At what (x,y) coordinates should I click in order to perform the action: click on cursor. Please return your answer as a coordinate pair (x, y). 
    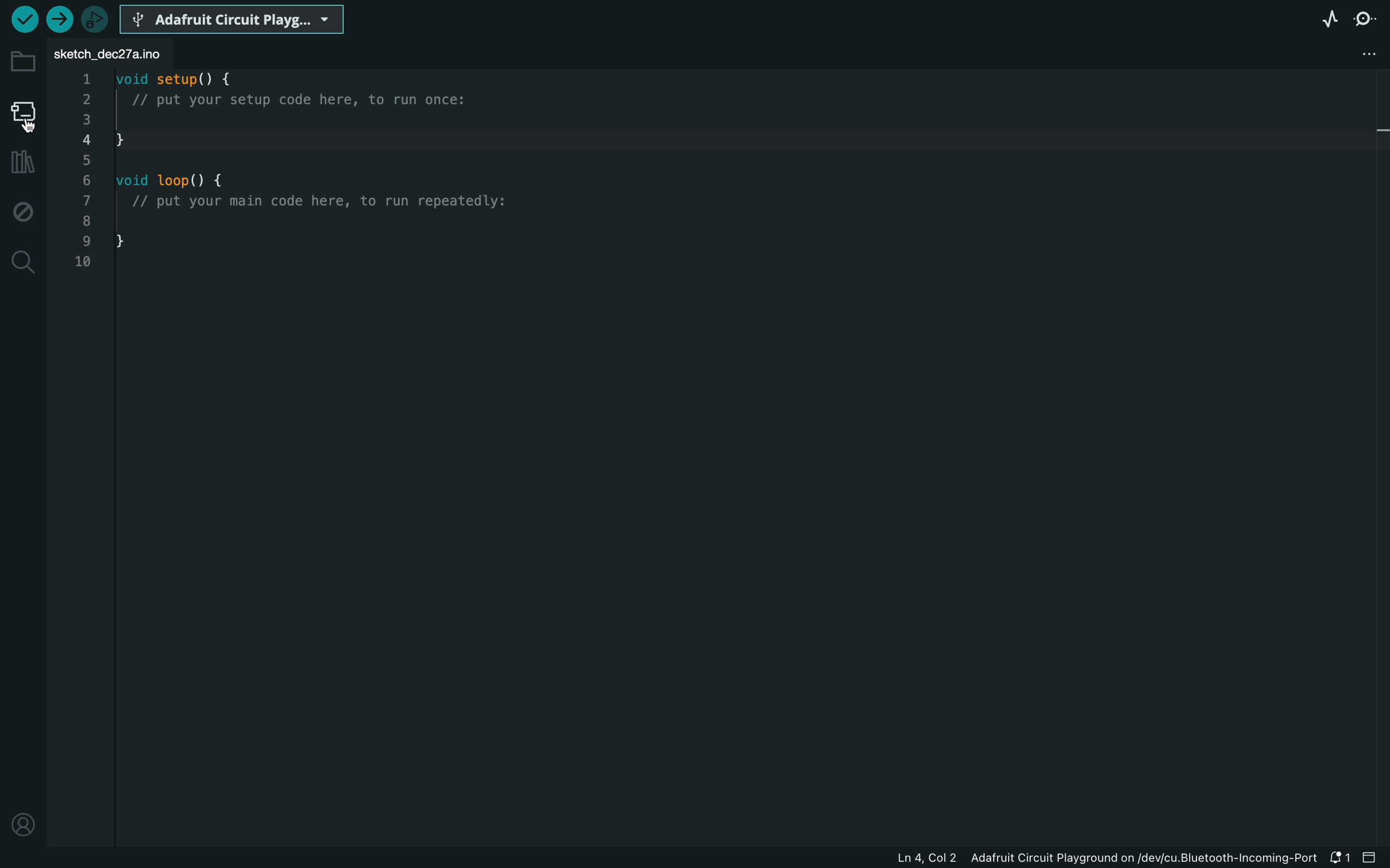
    Looking at the image, I should click on (29, 123).